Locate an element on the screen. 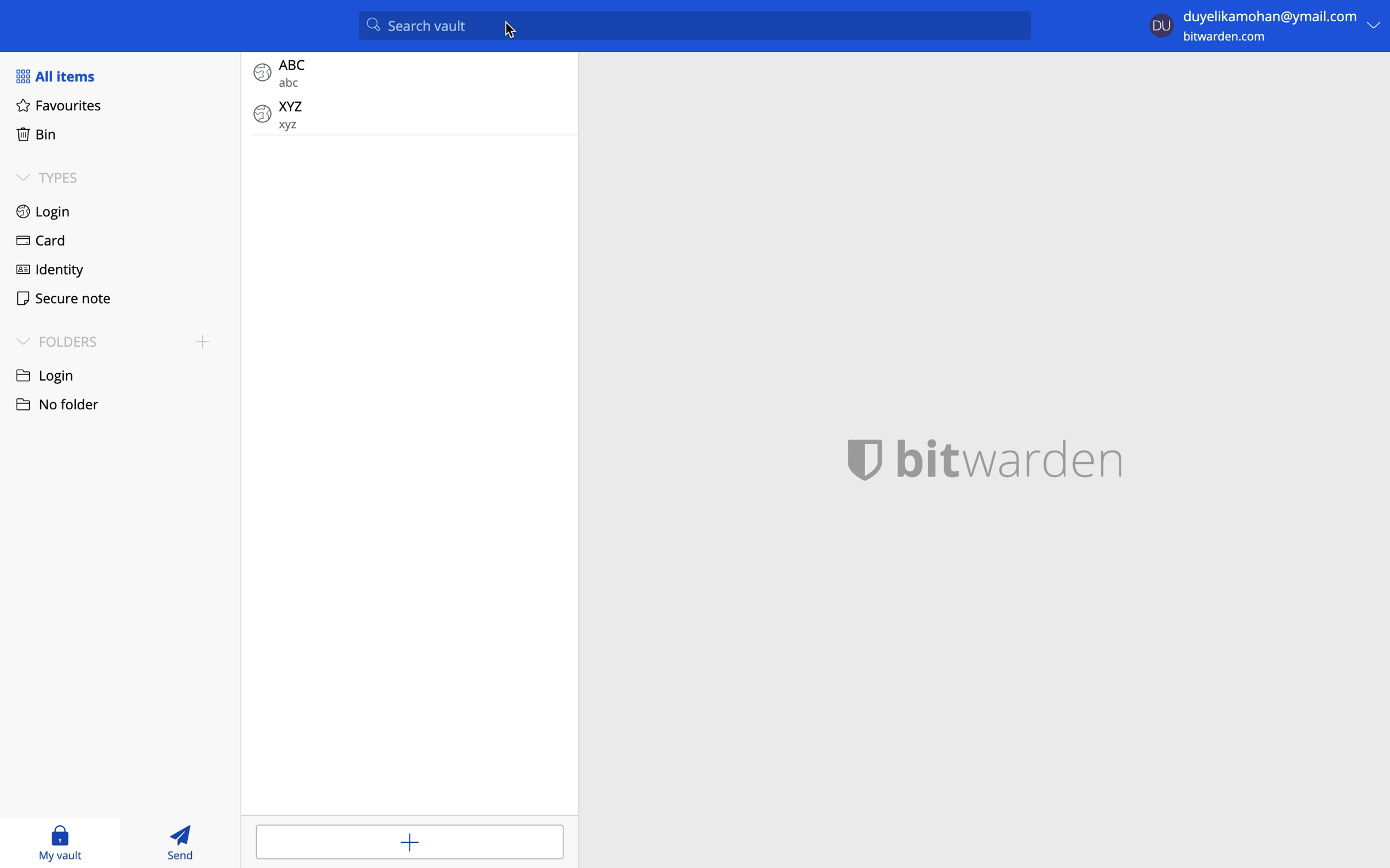 This screenshot has width=1390, height=868. types is located at coordinates (55, 178).